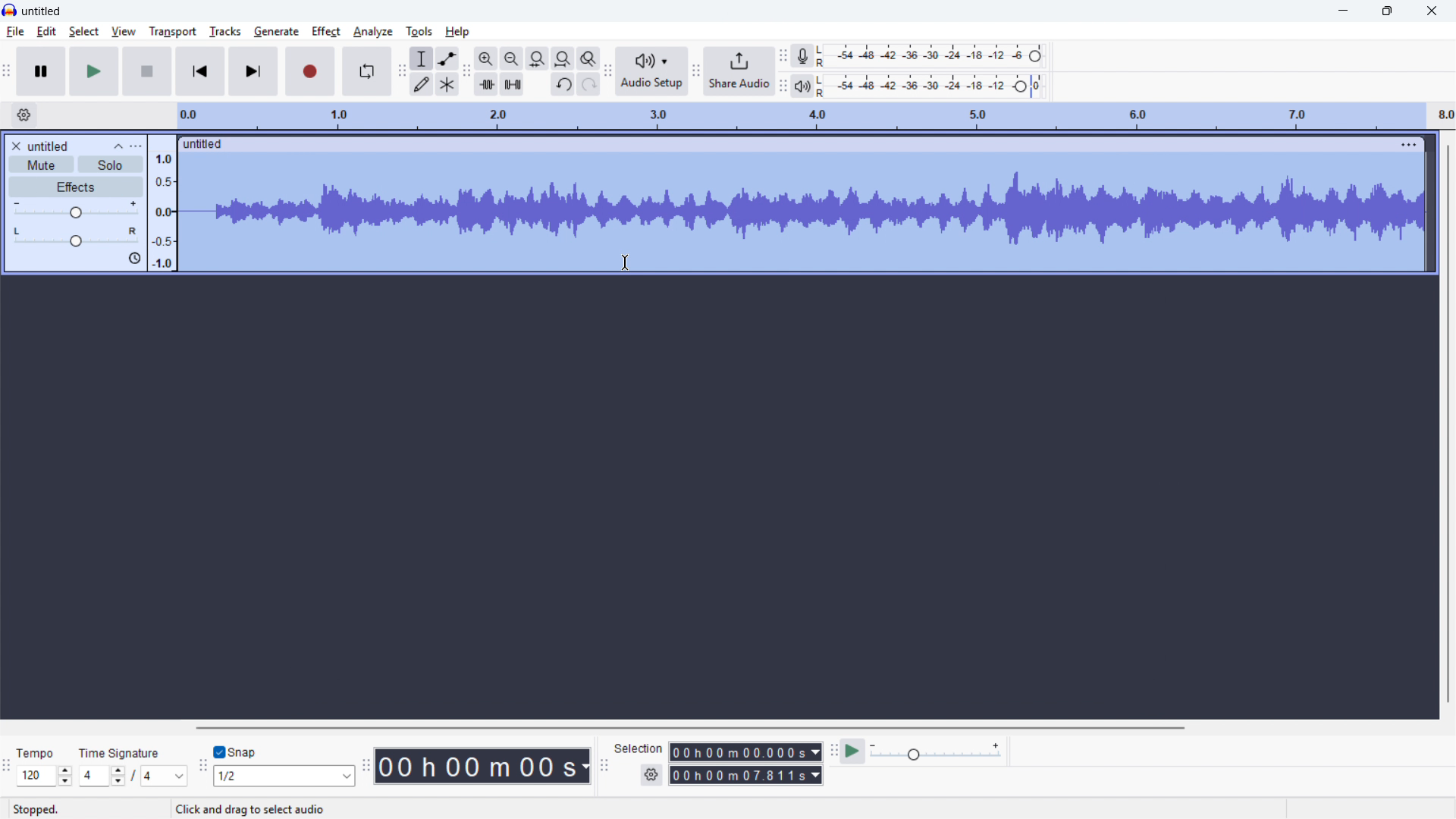 The height and width of the screenshot is (819, 1456). Describe the element at coordinates (134, 776) in the screenshot. I see `set Time signature` at that location.